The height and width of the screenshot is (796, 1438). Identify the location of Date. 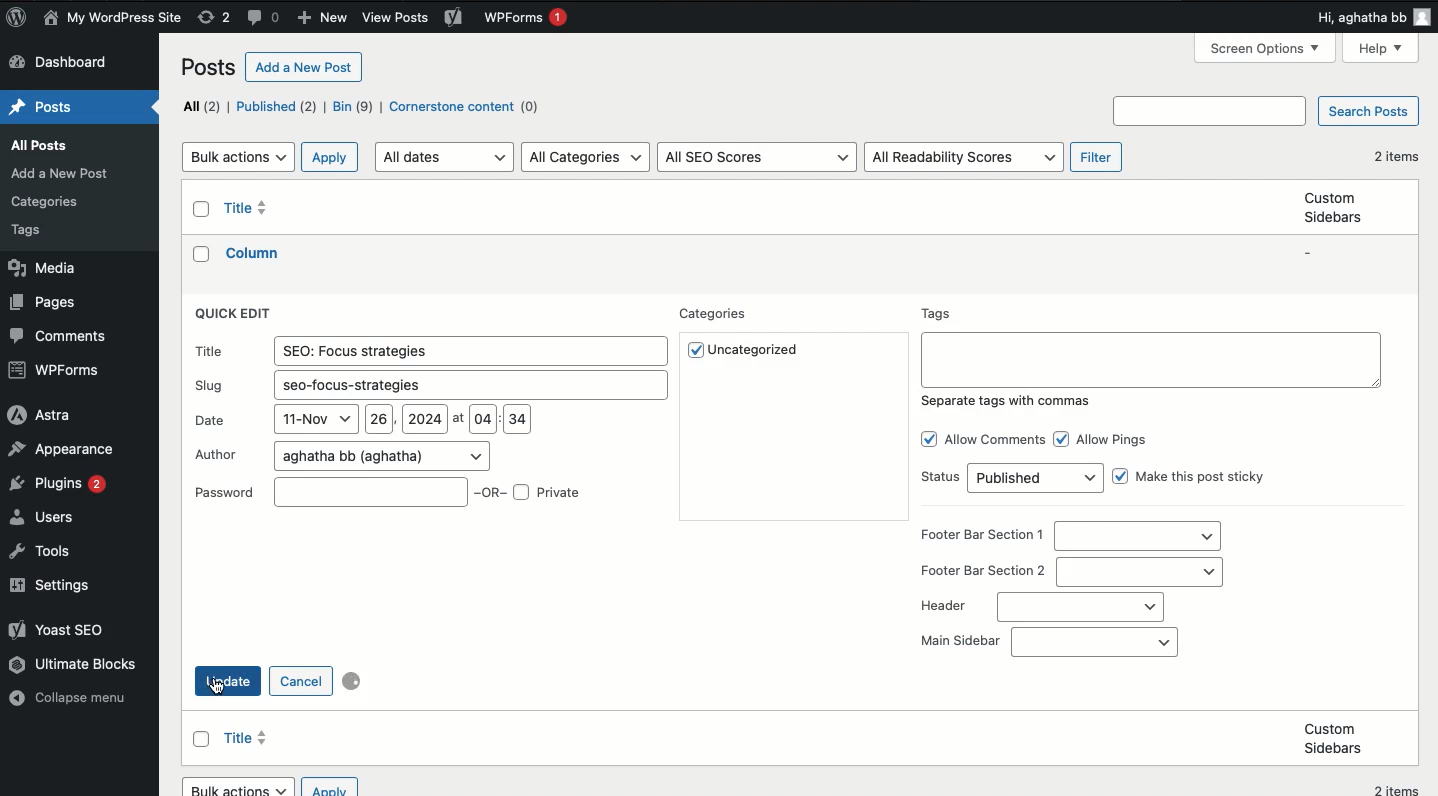
(399, 420).